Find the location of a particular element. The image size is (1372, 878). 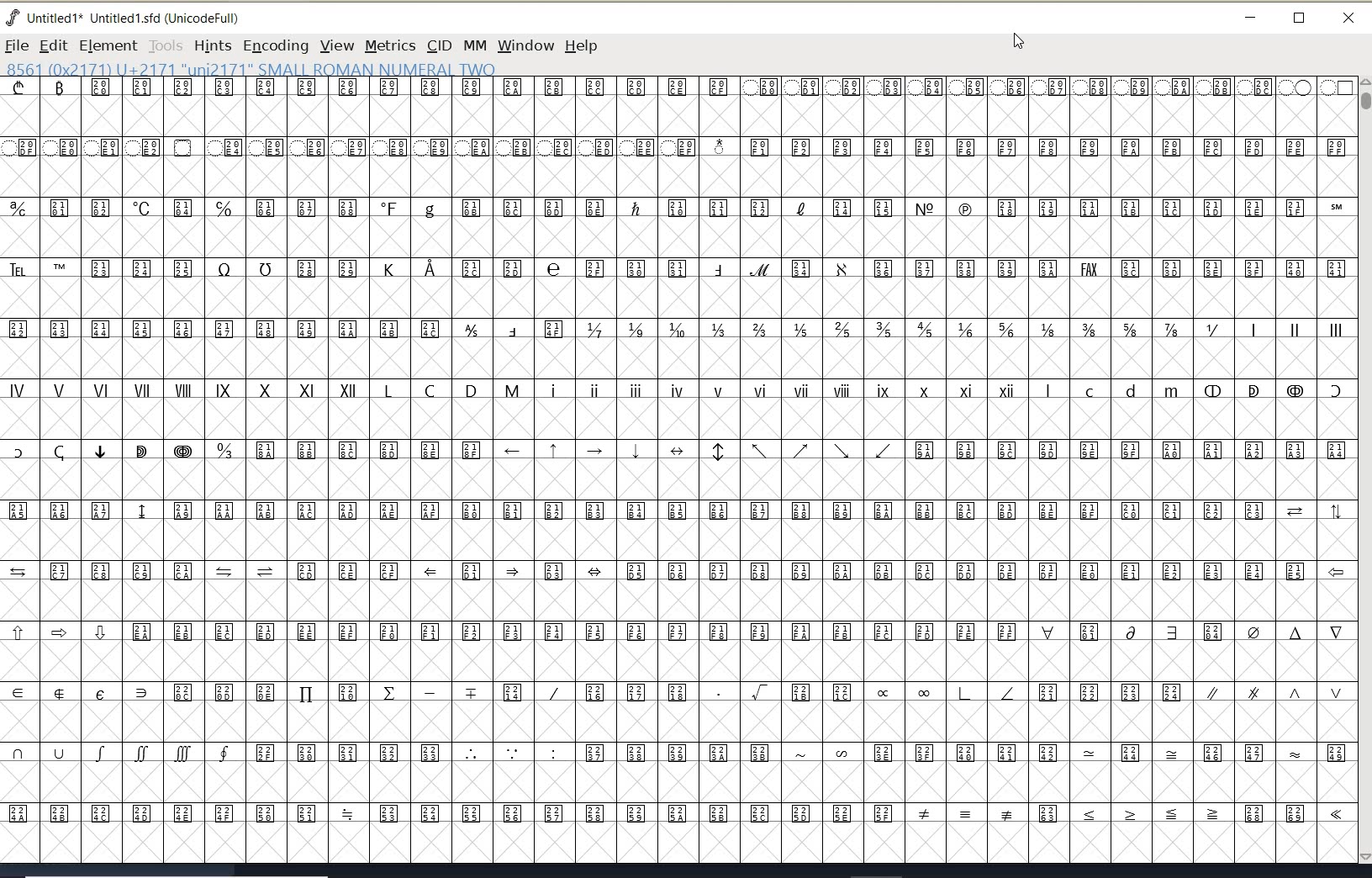

FILE is located at coordinates (16, 45).